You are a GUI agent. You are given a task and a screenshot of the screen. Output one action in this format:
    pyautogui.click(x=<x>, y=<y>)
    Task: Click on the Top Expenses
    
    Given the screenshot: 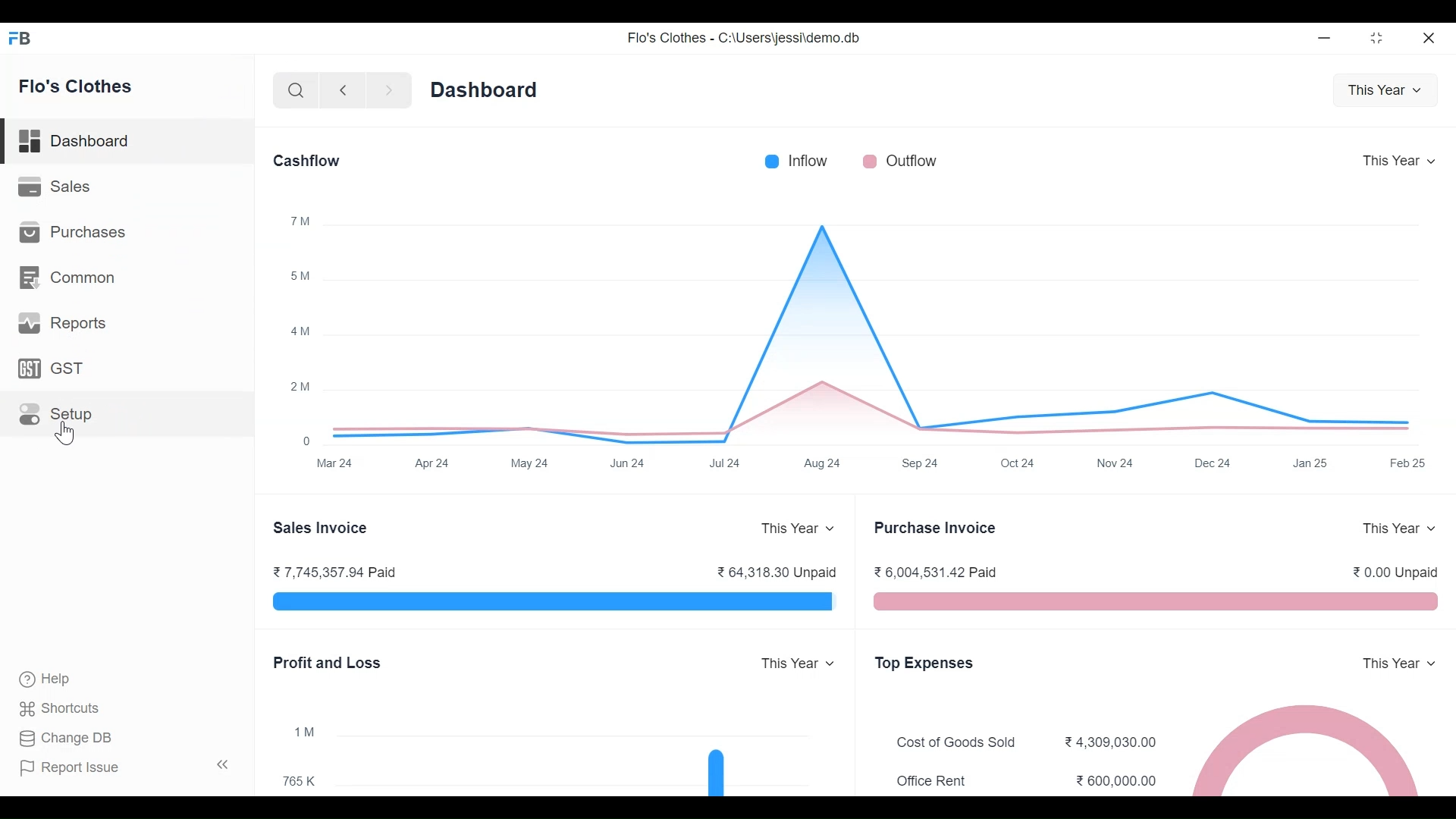 What is the action you would take?
    pyautogui.click(x=926, y=664)
    